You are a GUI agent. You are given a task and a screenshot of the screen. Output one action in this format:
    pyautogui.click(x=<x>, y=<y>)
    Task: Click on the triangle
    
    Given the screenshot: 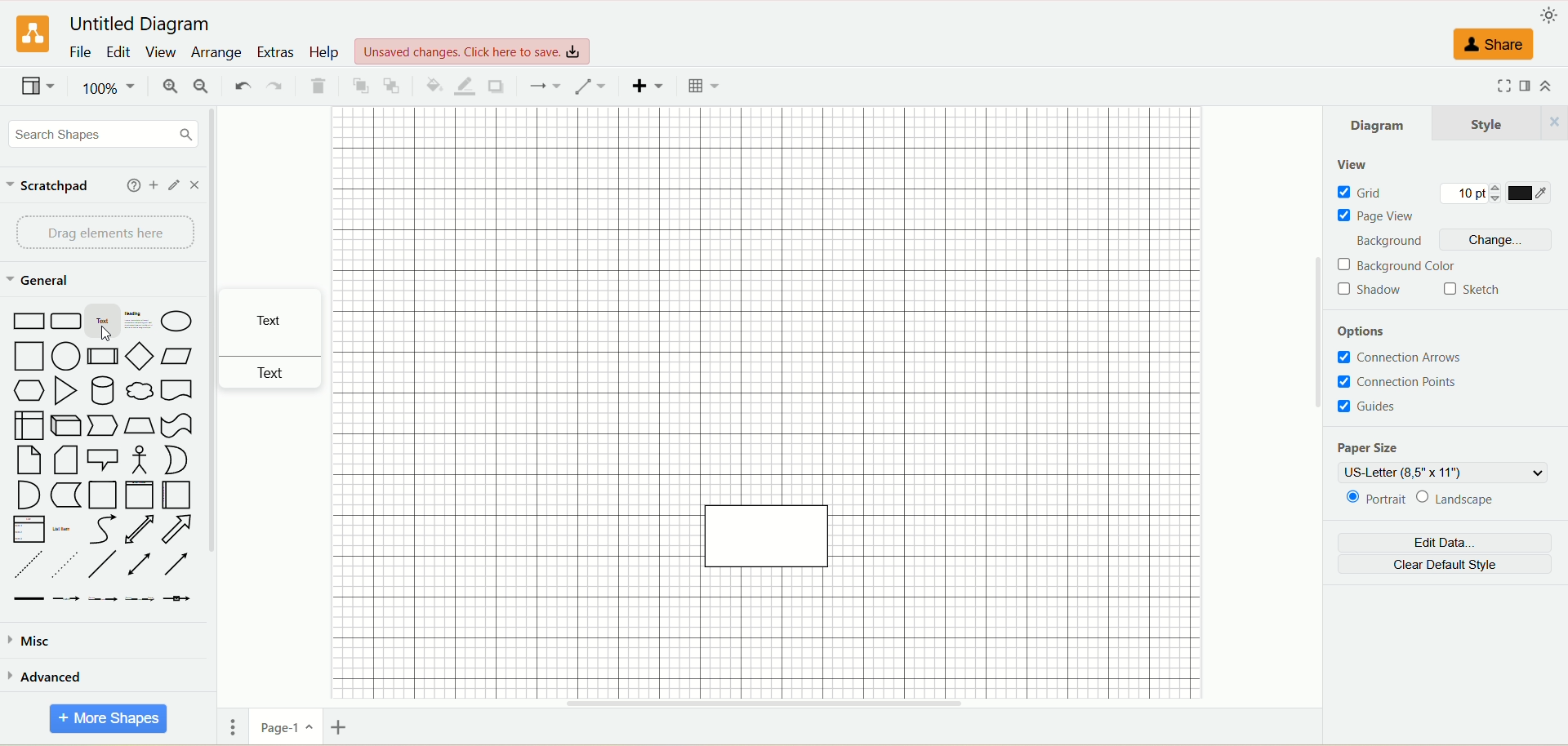 What is the action you would take?
    pyautogui.click(x=68, y=390)
    